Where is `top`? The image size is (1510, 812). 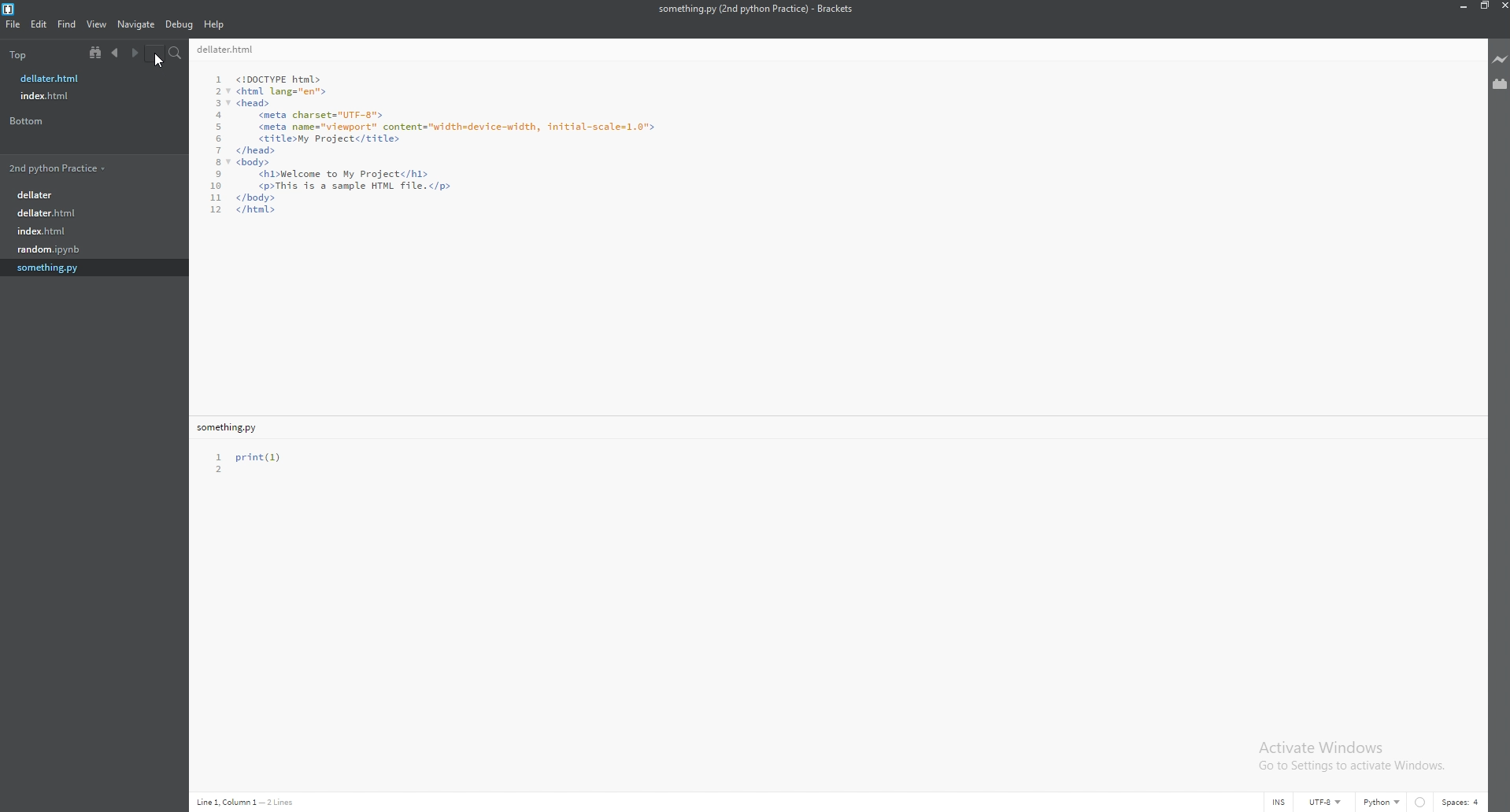
top is located at coordinates (30, 54).